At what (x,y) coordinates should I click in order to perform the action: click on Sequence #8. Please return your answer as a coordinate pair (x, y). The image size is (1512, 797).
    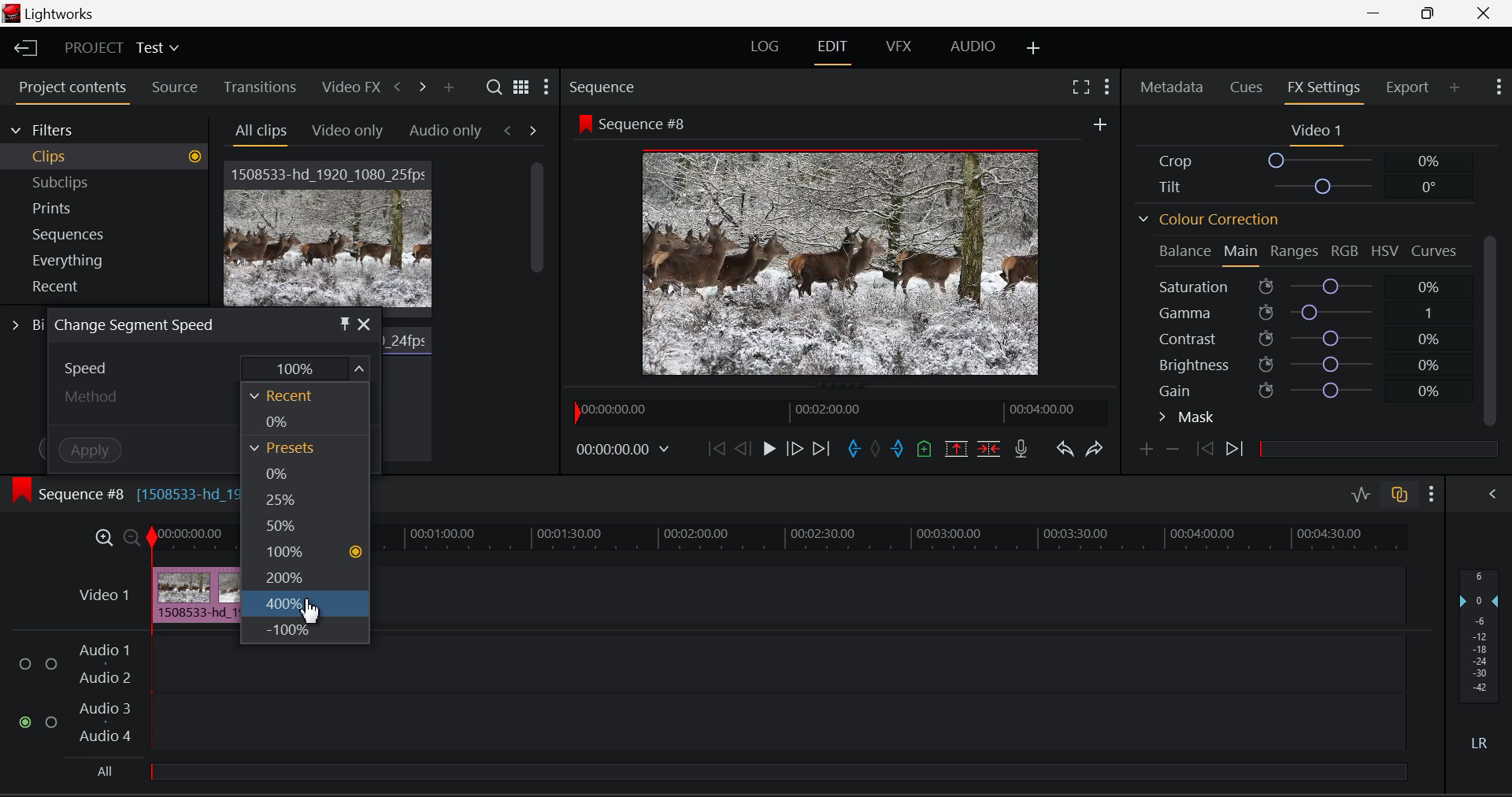
    Looking at the image, I should click on (632, 122).